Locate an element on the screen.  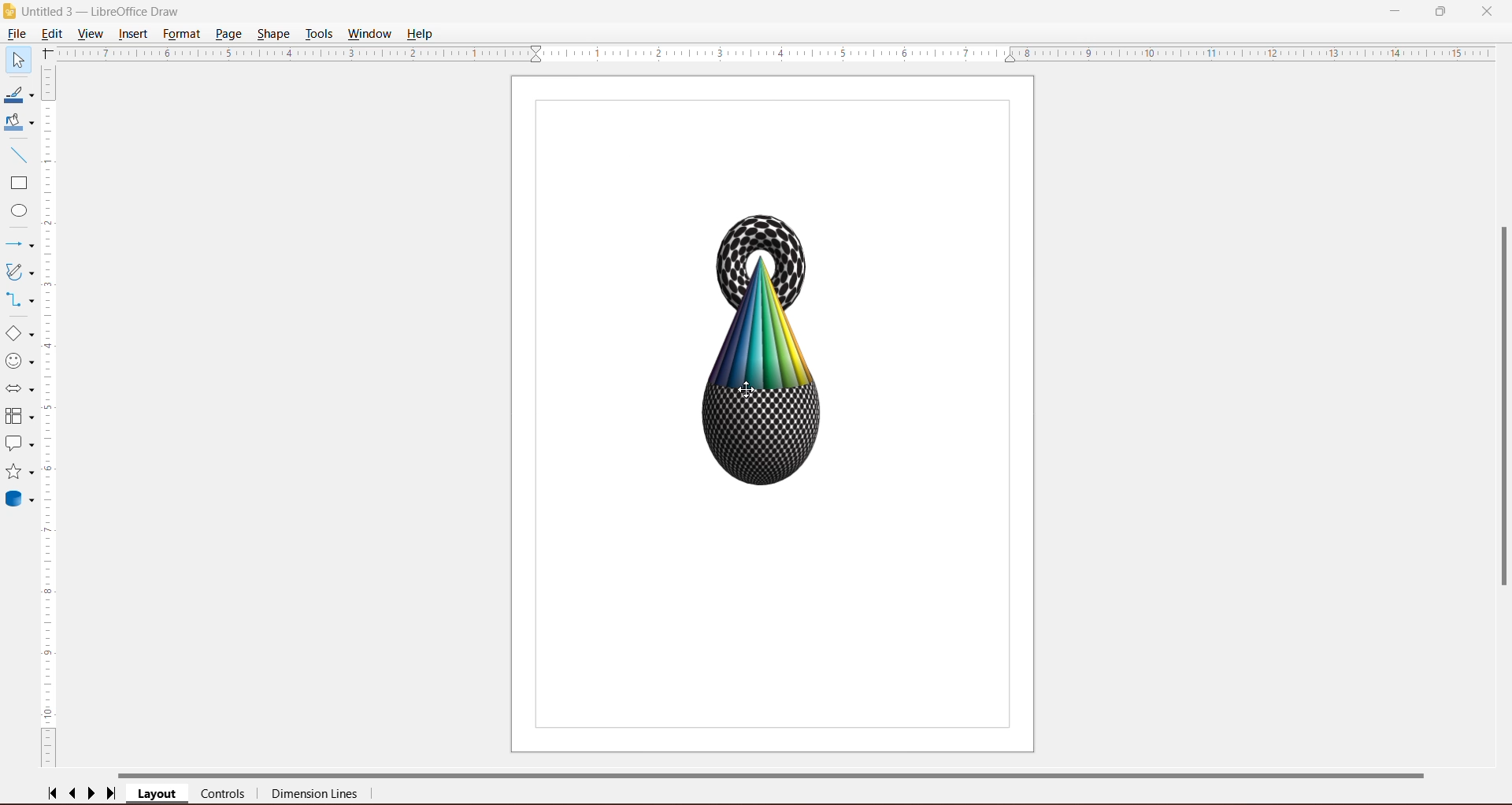
Curves and Polygons is located at coordinates (20, 272).